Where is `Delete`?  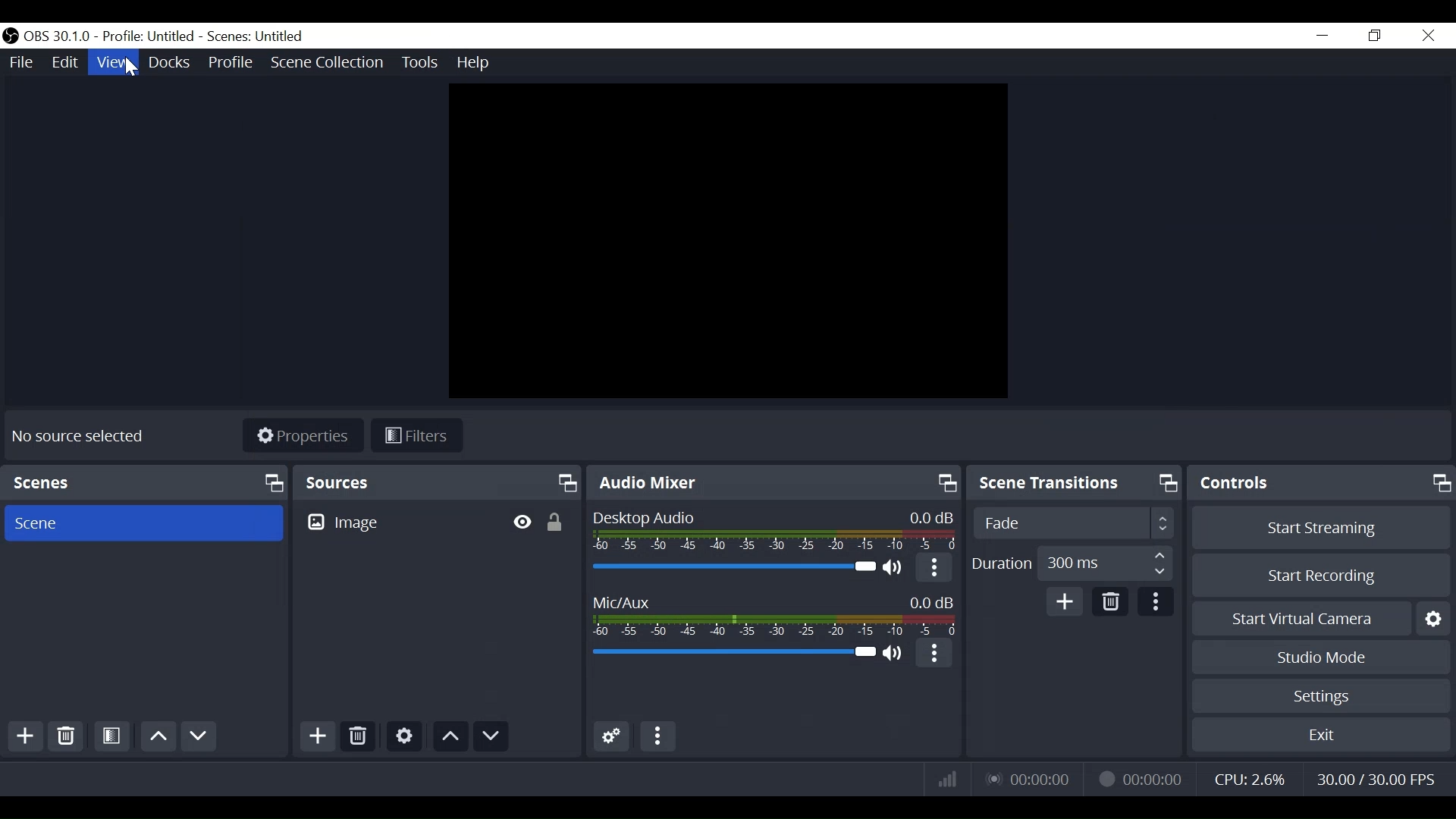
Delete is located at coordinates (357, 735).